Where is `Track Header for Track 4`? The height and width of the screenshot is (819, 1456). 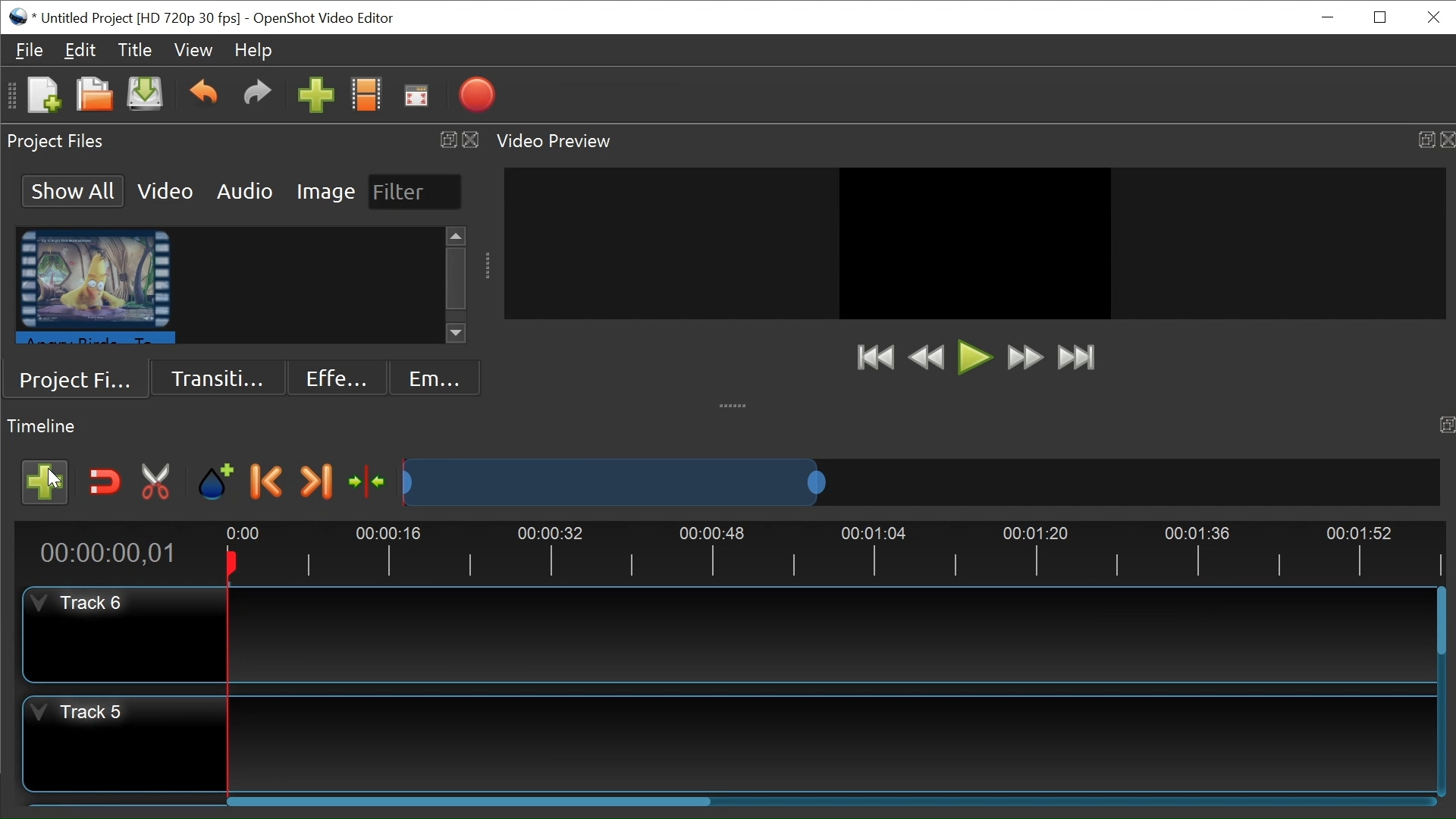
Track Header for Track 4 is located at coordinates (127, 739).